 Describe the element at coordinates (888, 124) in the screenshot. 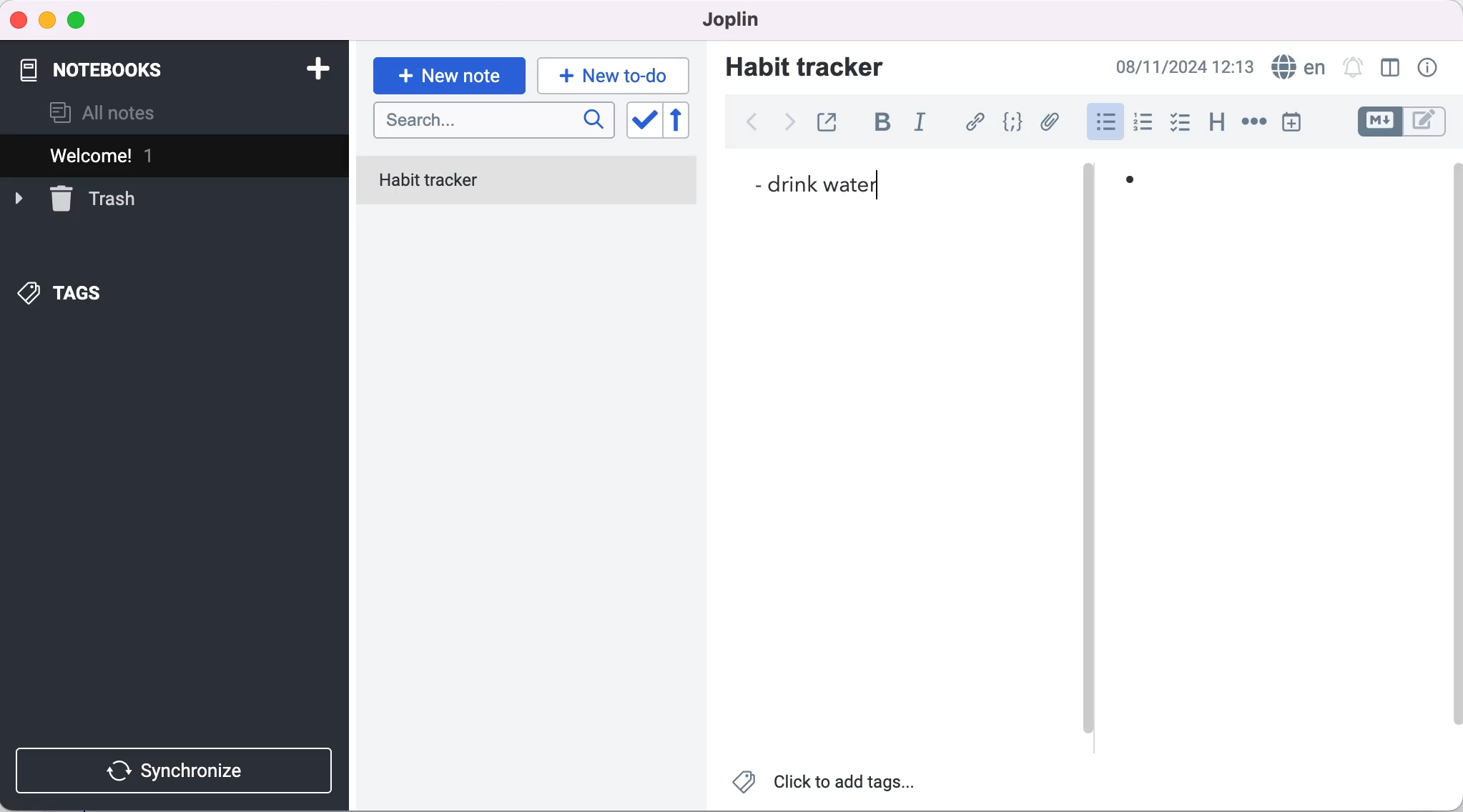

I see `bold` at that location.